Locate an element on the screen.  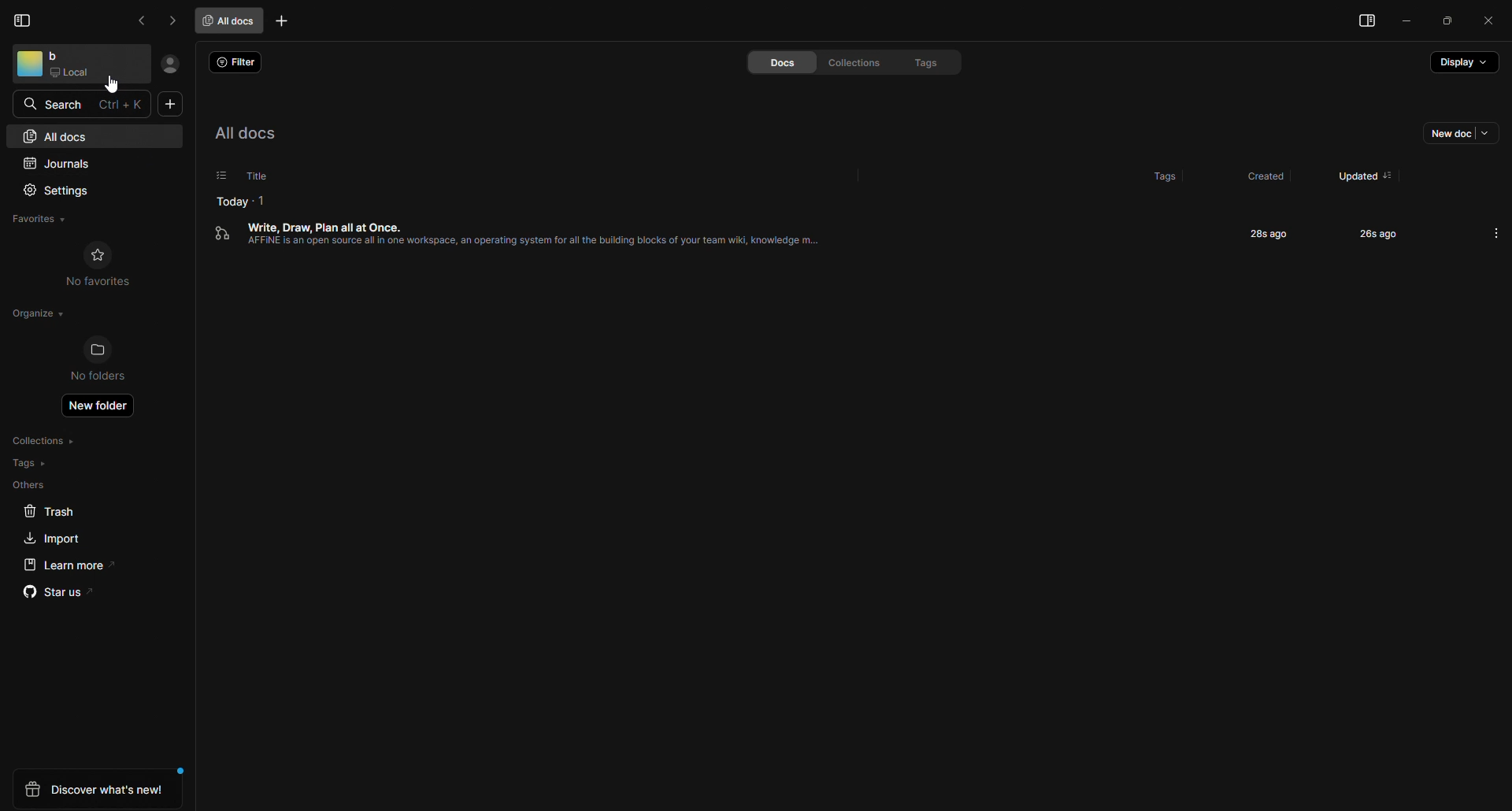
import is located at coordinates (48, 538).